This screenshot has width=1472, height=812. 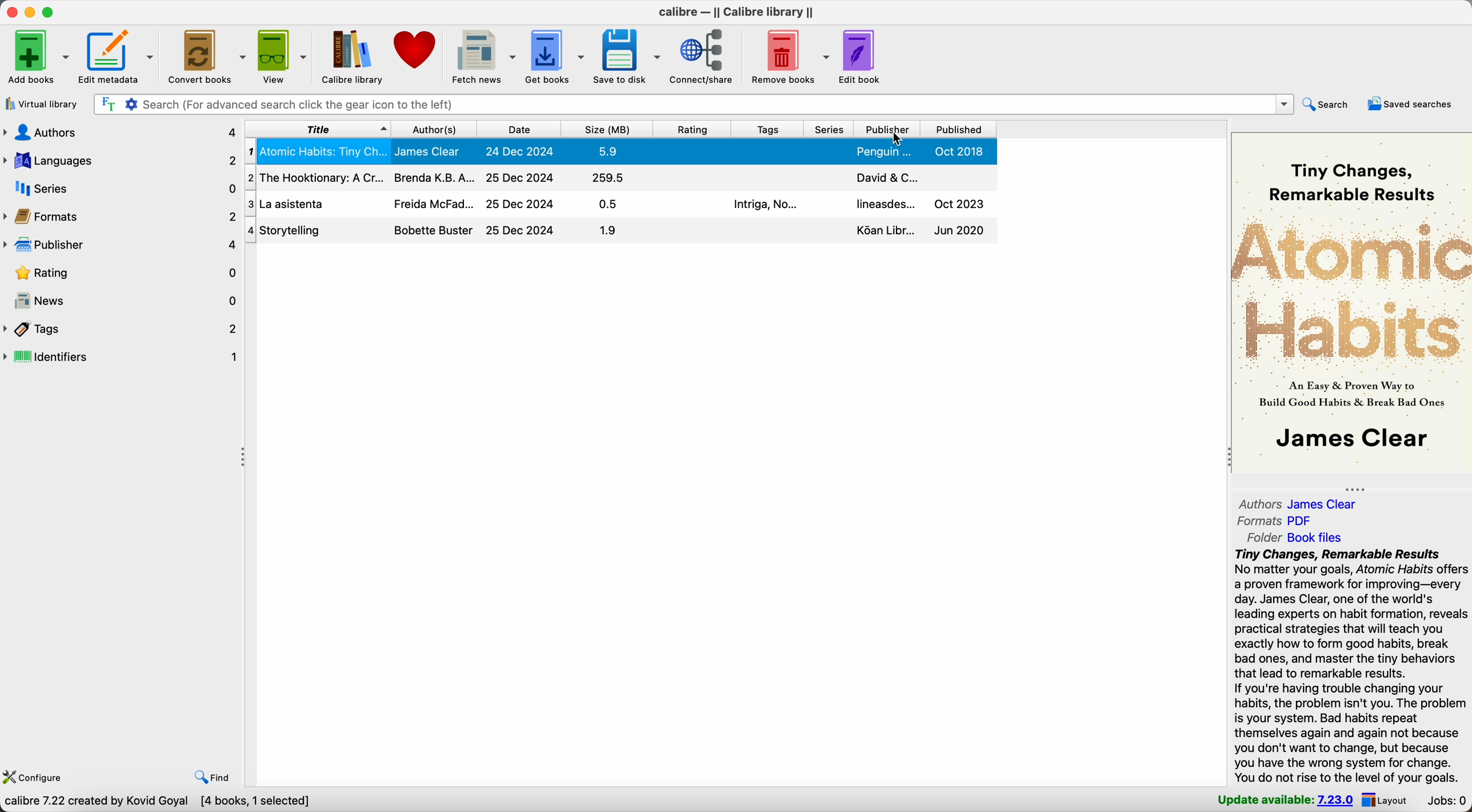 I want to click on remove books, so click(x=787, y=55).